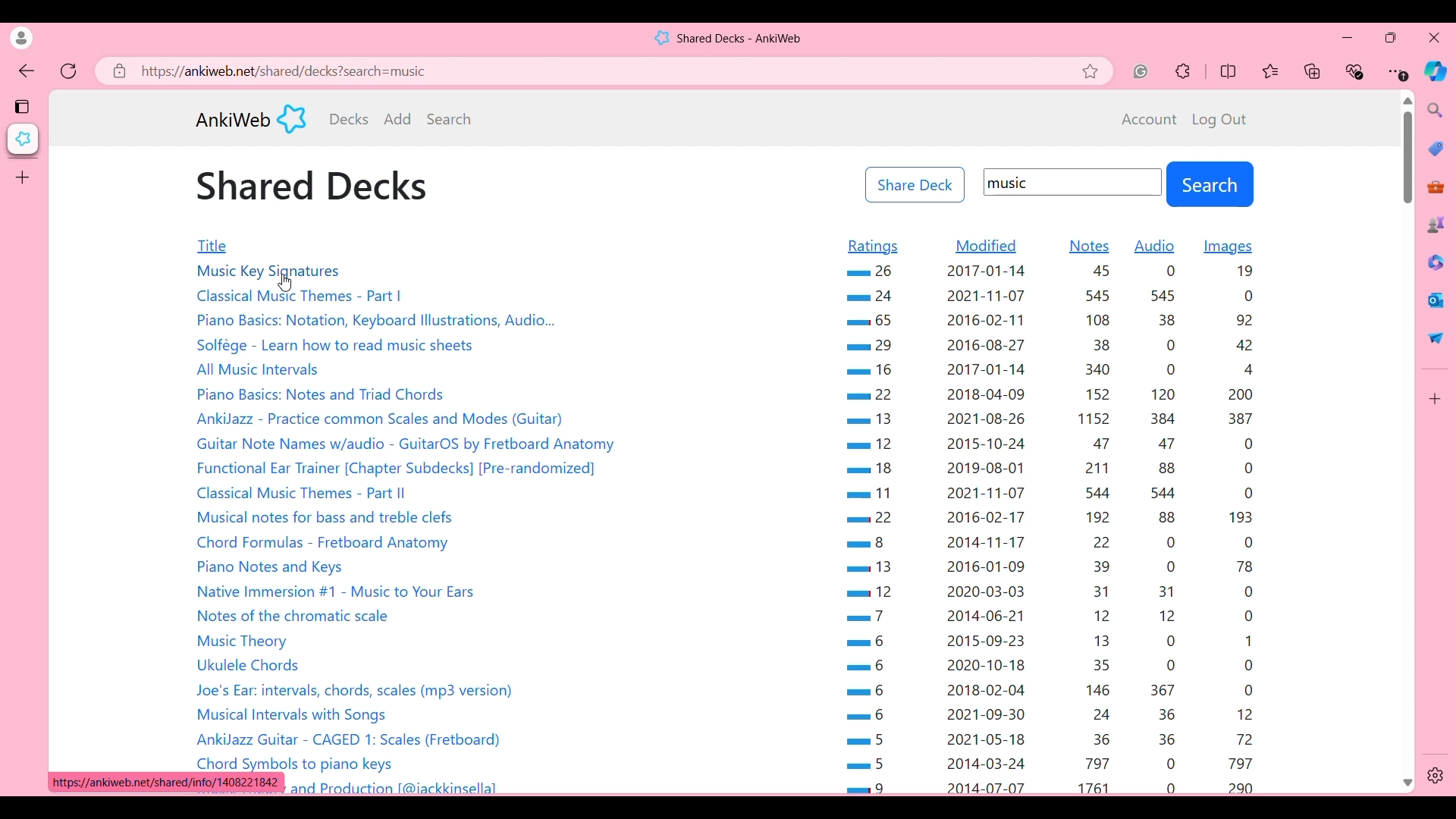 Image resolution: width=1456 pixels, height=819 pixels. Describe the element at coordinates (1228, 247) in the screenshot. I see `Images` at that location.